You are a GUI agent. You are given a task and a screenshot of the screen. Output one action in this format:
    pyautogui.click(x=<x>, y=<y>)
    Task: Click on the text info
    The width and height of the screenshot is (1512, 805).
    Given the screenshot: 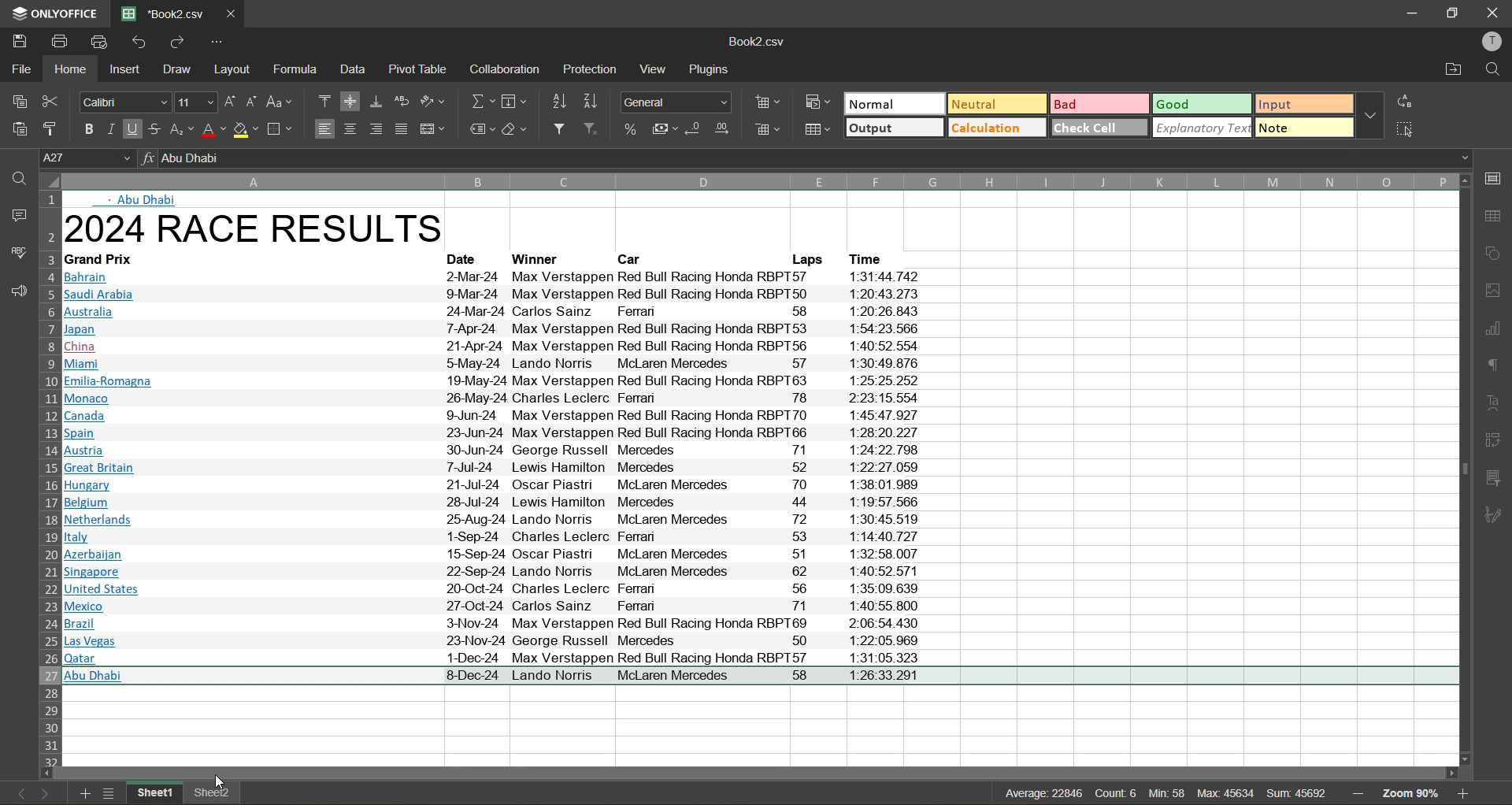 What is the action you would take?
    pyautogui.click(x=469, y=260)
    